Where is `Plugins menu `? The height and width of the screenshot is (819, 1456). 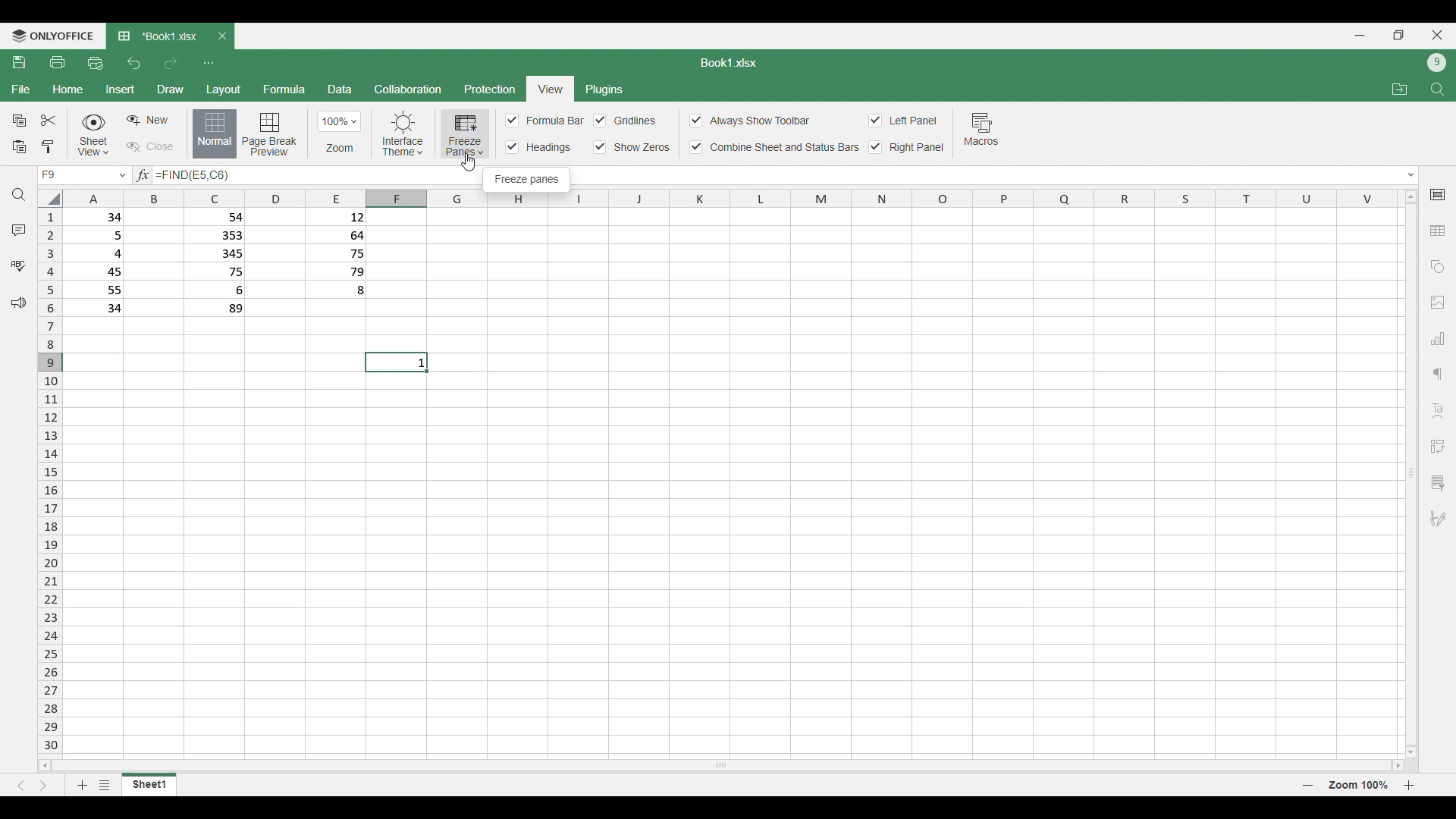
Plugins menu  is located at coordinates (604, 89).